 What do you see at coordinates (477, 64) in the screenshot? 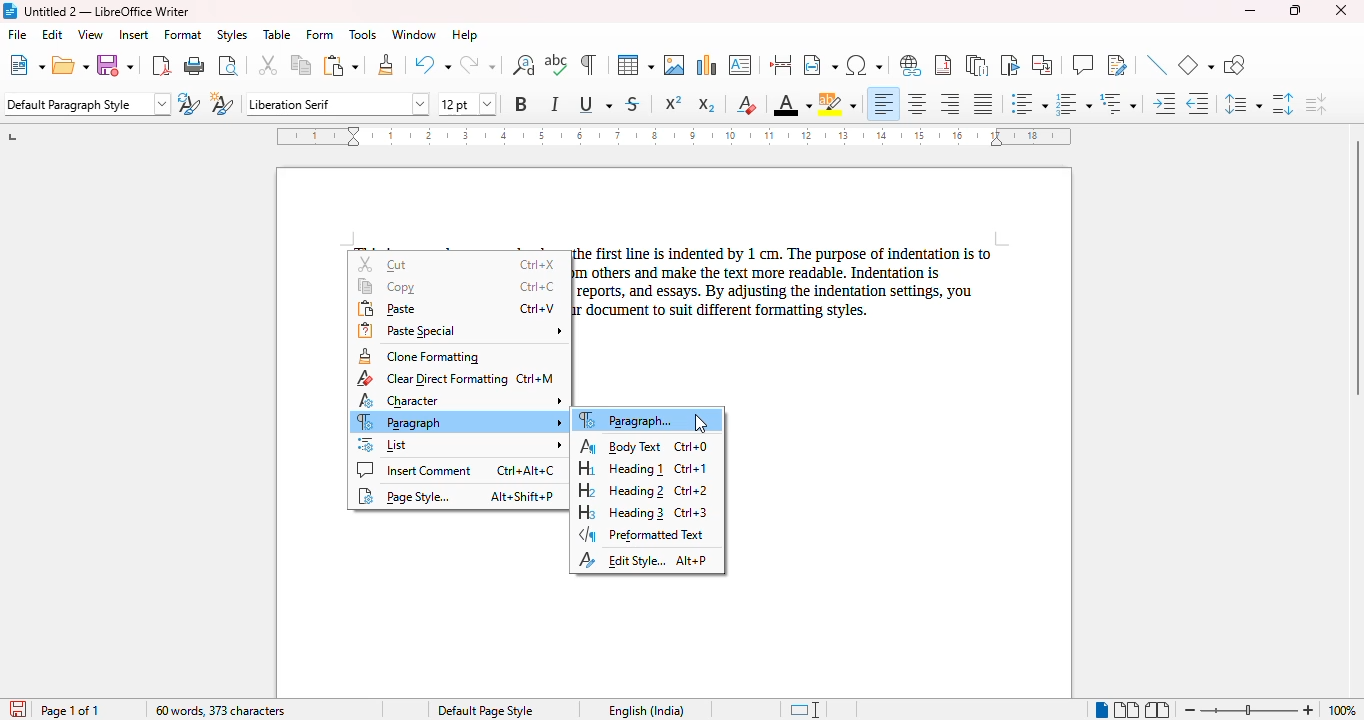
I see `redo` at bounding box center [477, 64].